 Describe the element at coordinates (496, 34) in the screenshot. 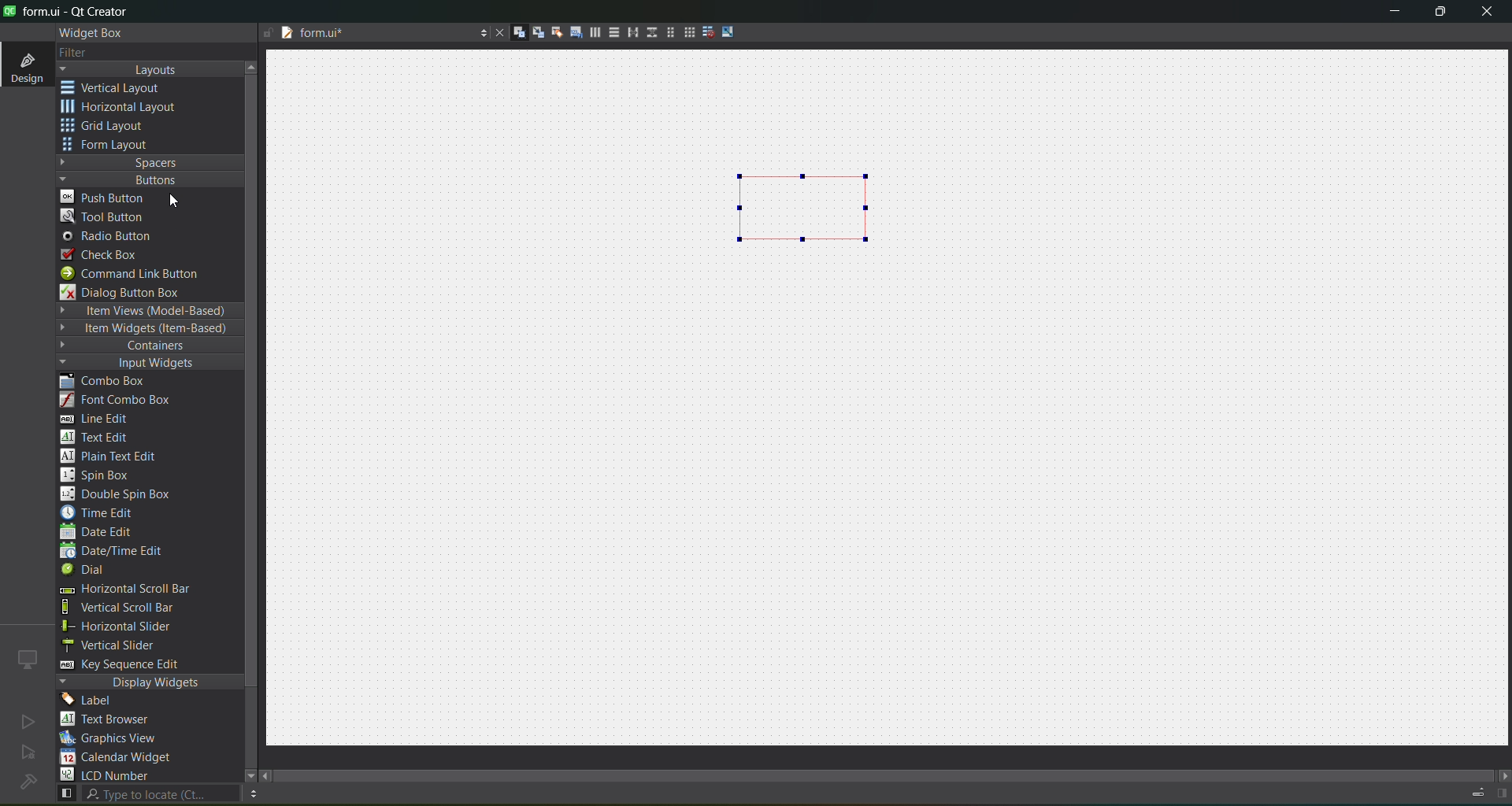

I see `close document` at that location.